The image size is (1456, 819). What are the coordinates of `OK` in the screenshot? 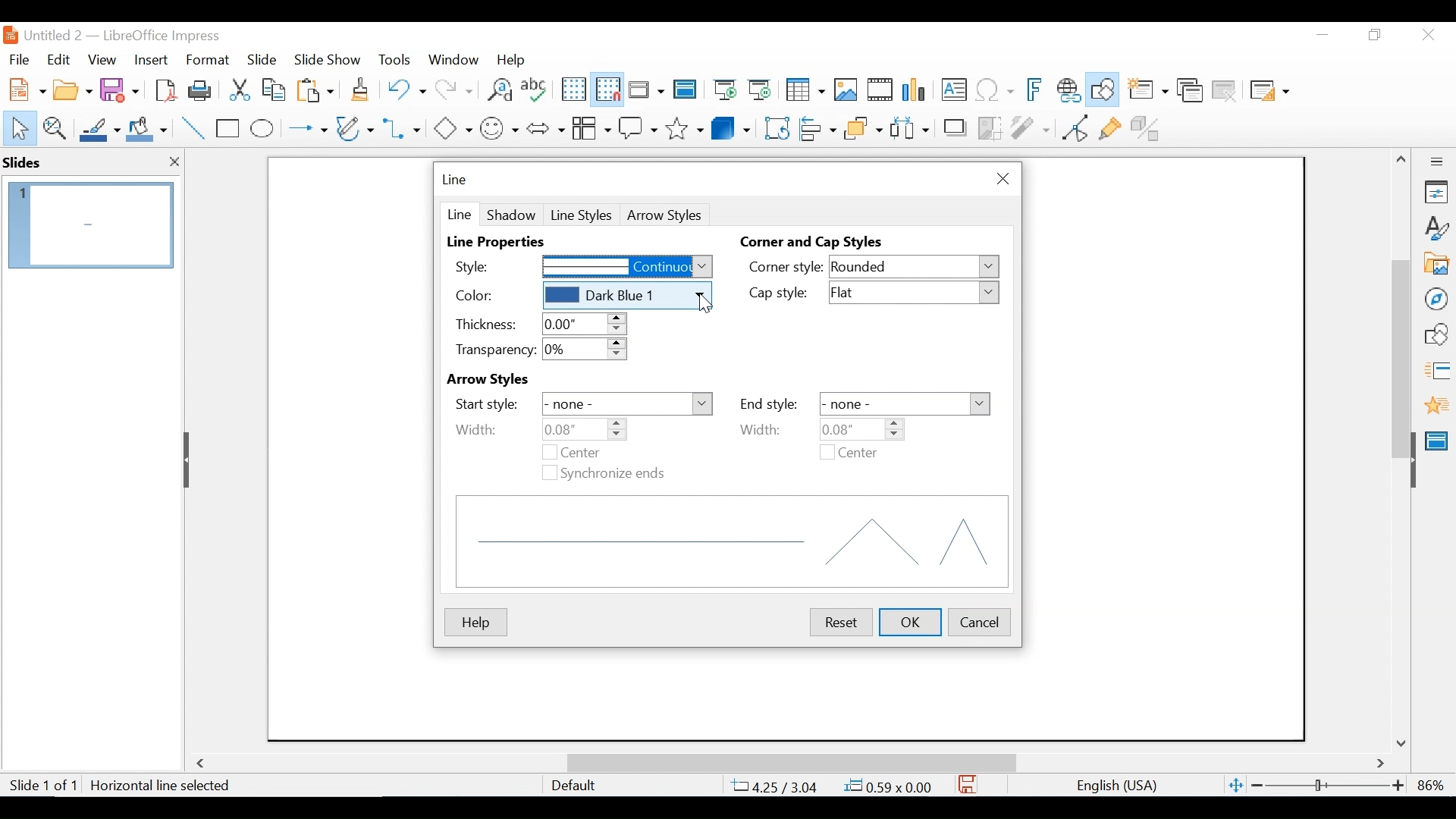 It's located at (912, 622).